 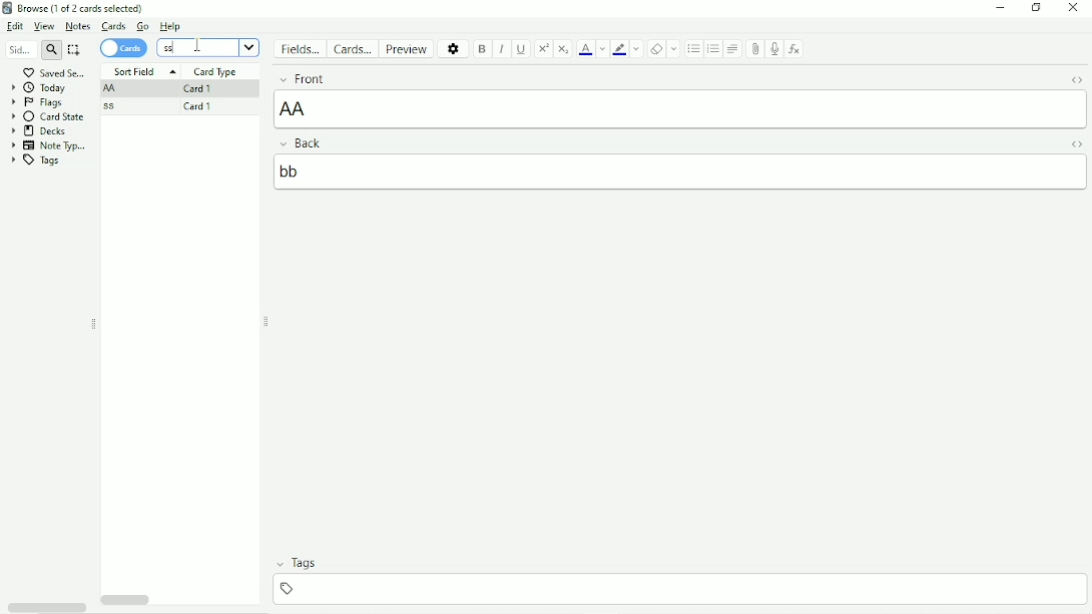 I want to click on Cards, so click(x=355, y=49).